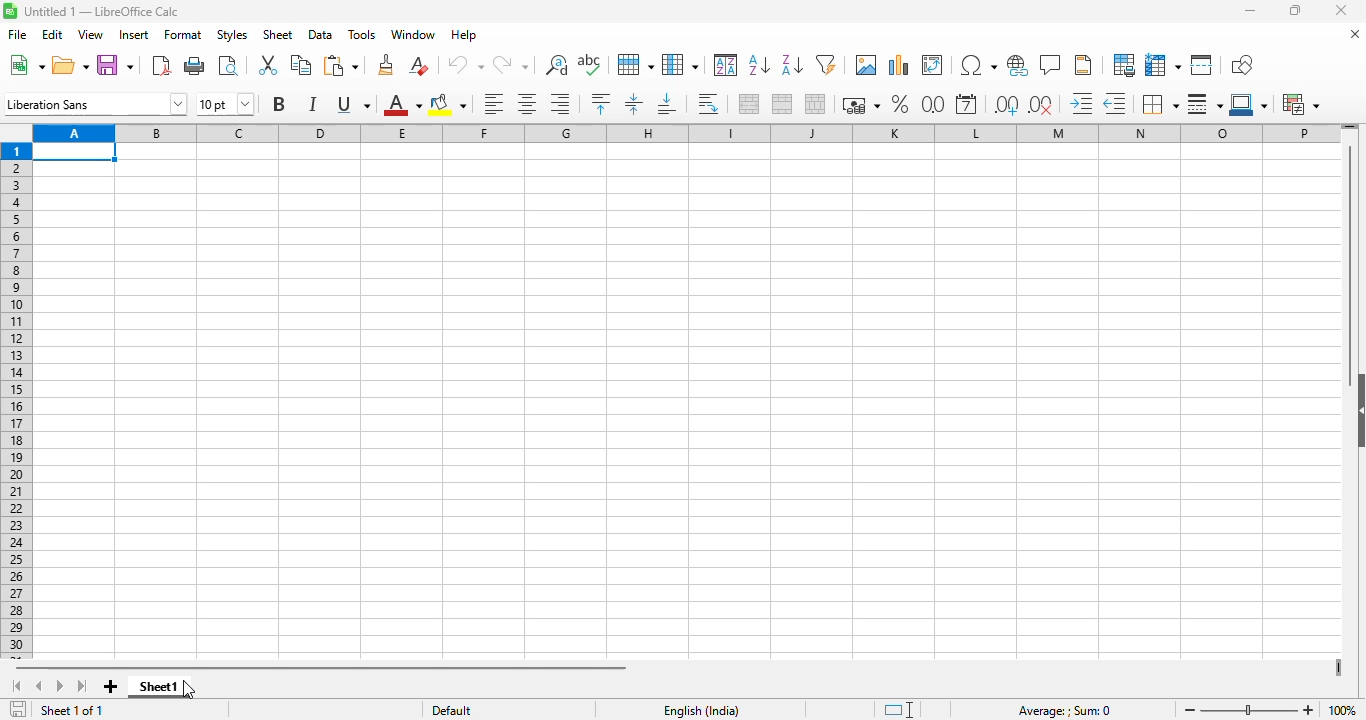  What do you see at coordinates (557, 65) in the screenshot?
I see `find and replace` at bounding box center [557, 65].